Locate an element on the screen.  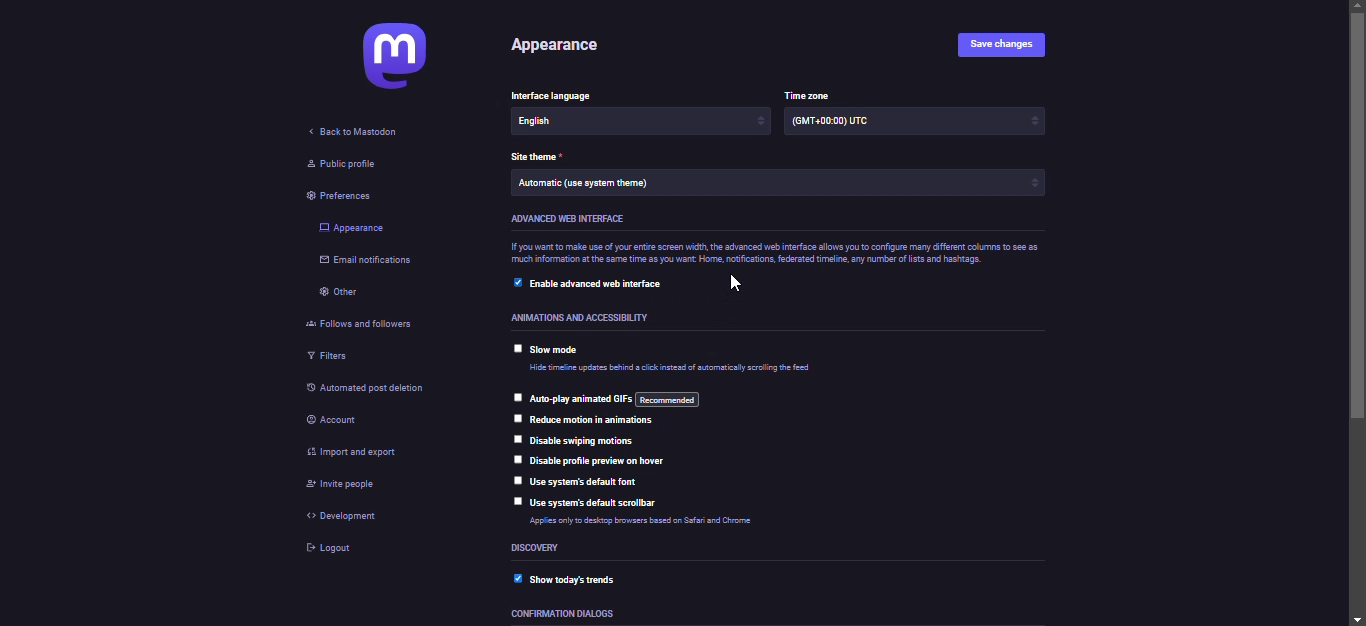
reduce motions in animations is located at coordinates (597, 421).